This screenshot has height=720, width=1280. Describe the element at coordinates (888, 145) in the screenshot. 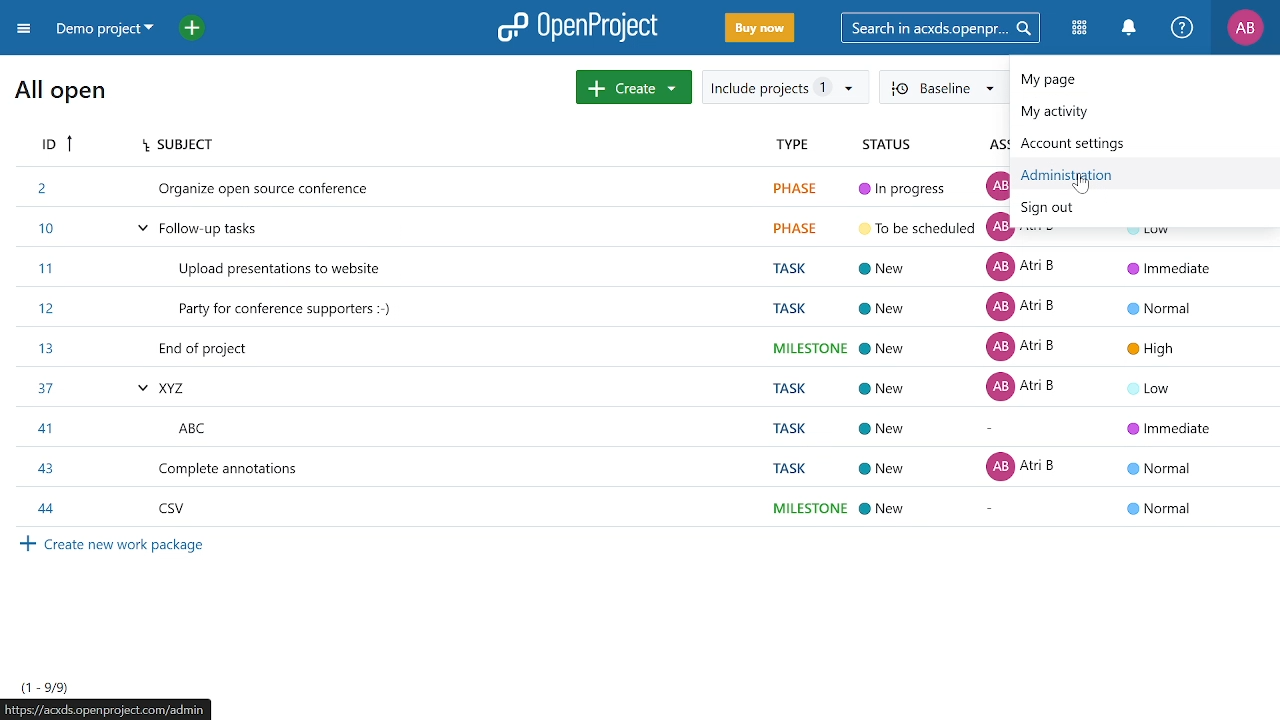

I see `Status` at that location.